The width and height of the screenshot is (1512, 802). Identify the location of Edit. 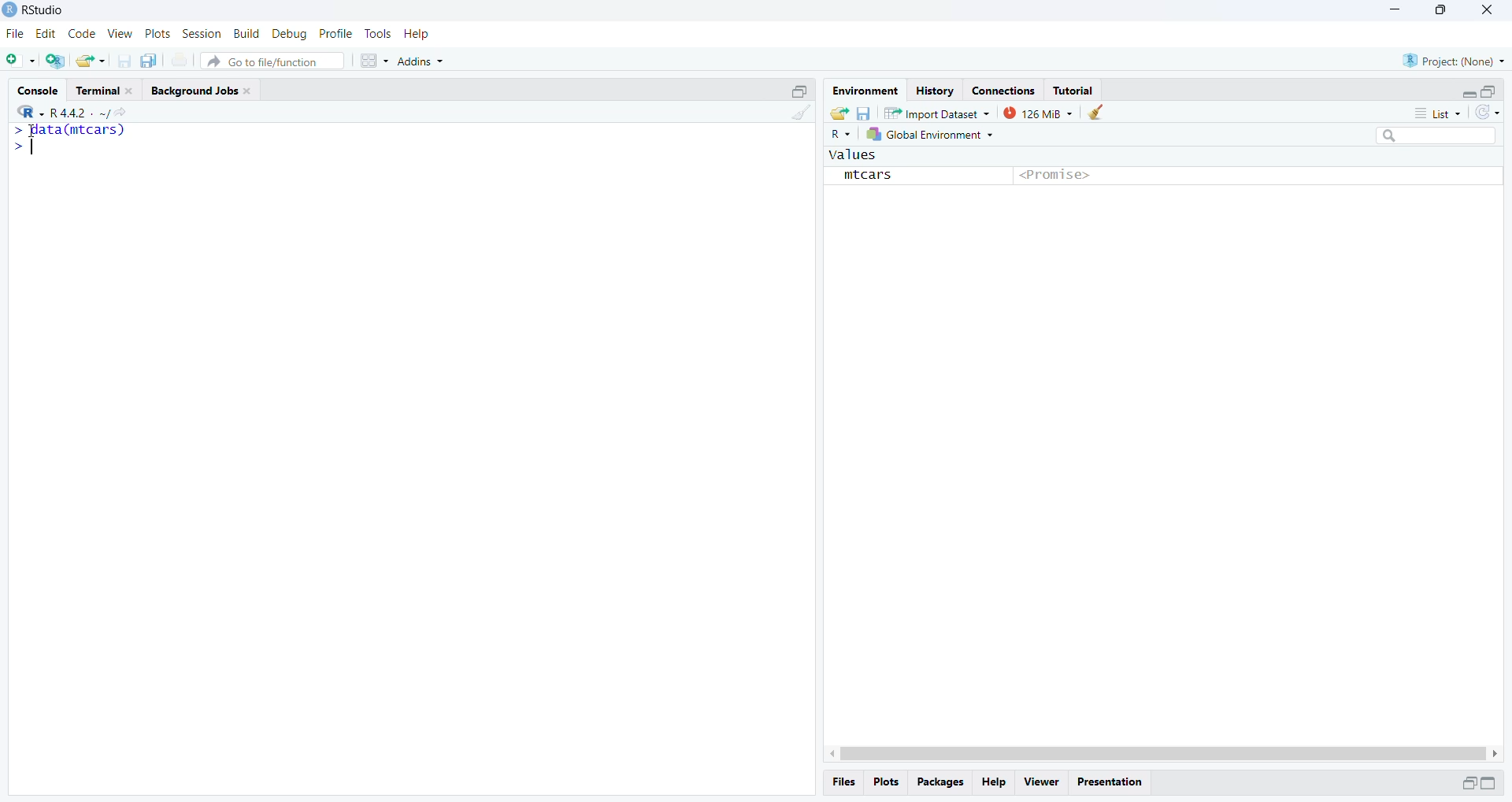
(47, 34).